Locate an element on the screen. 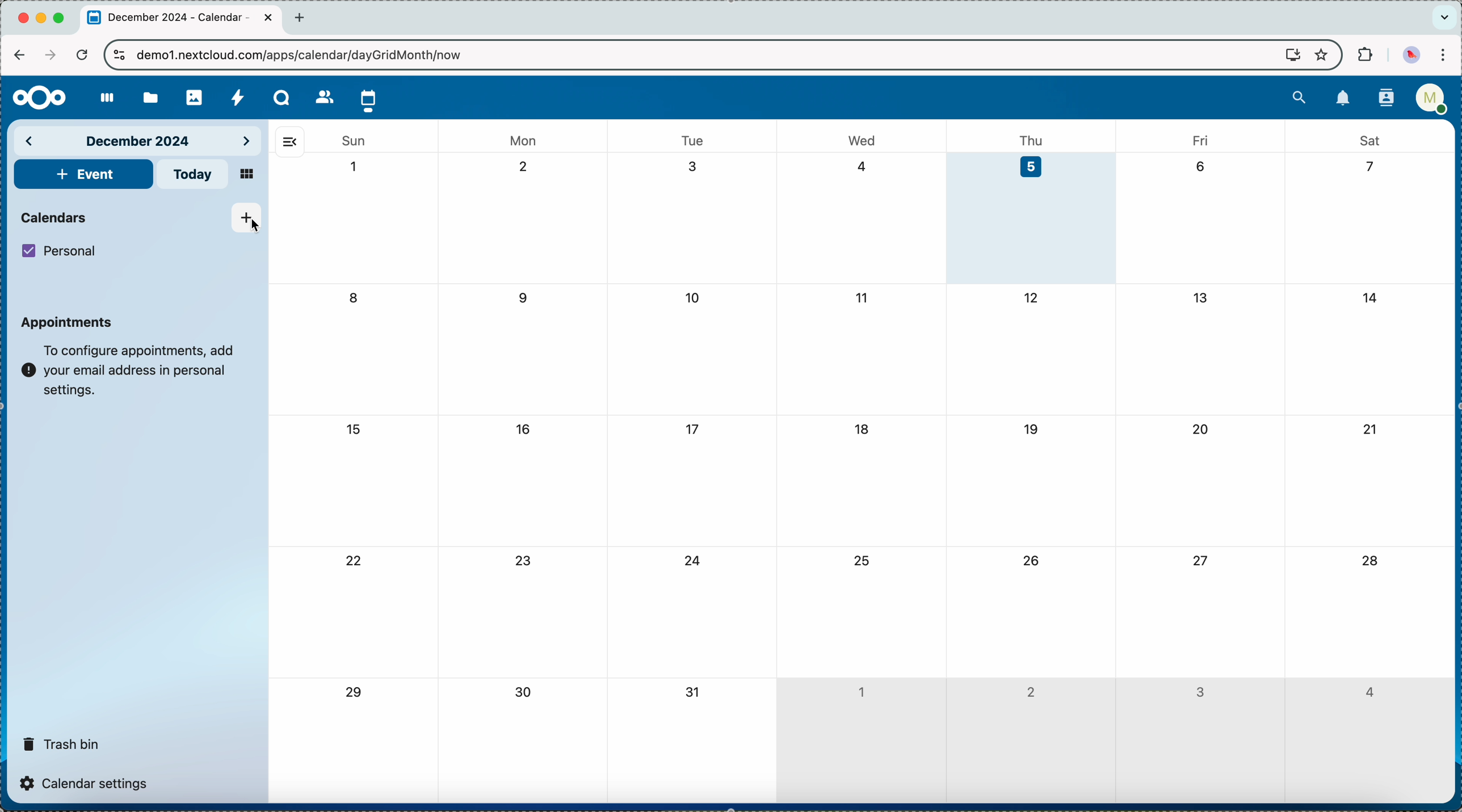  appointments is located at coordinates (68, 322).